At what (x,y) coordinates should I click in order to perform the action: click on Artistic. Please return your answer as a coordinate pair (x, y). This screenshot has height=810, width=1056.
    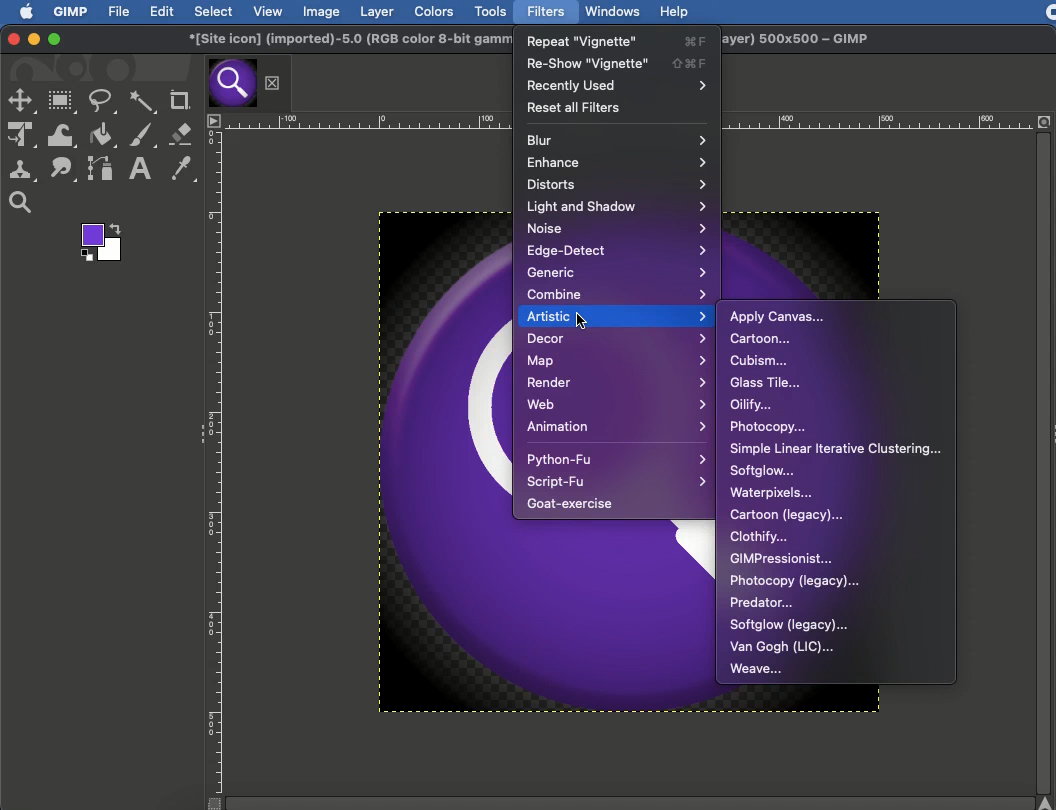
    Looking at the image, I should click on (616, 316).